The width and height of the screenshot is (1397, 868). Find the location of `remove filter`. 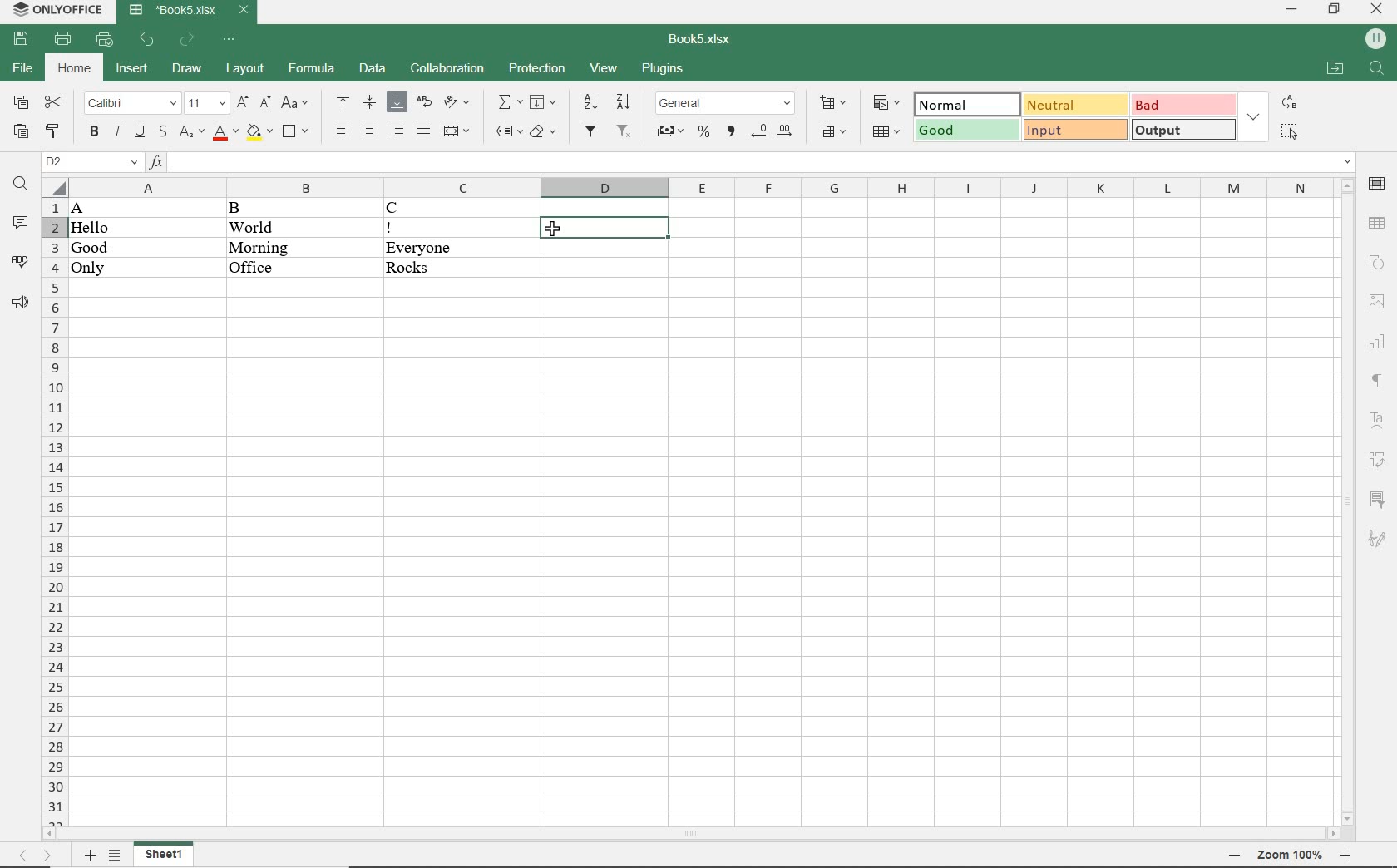

remove filter is located at coordinates (625, 134).